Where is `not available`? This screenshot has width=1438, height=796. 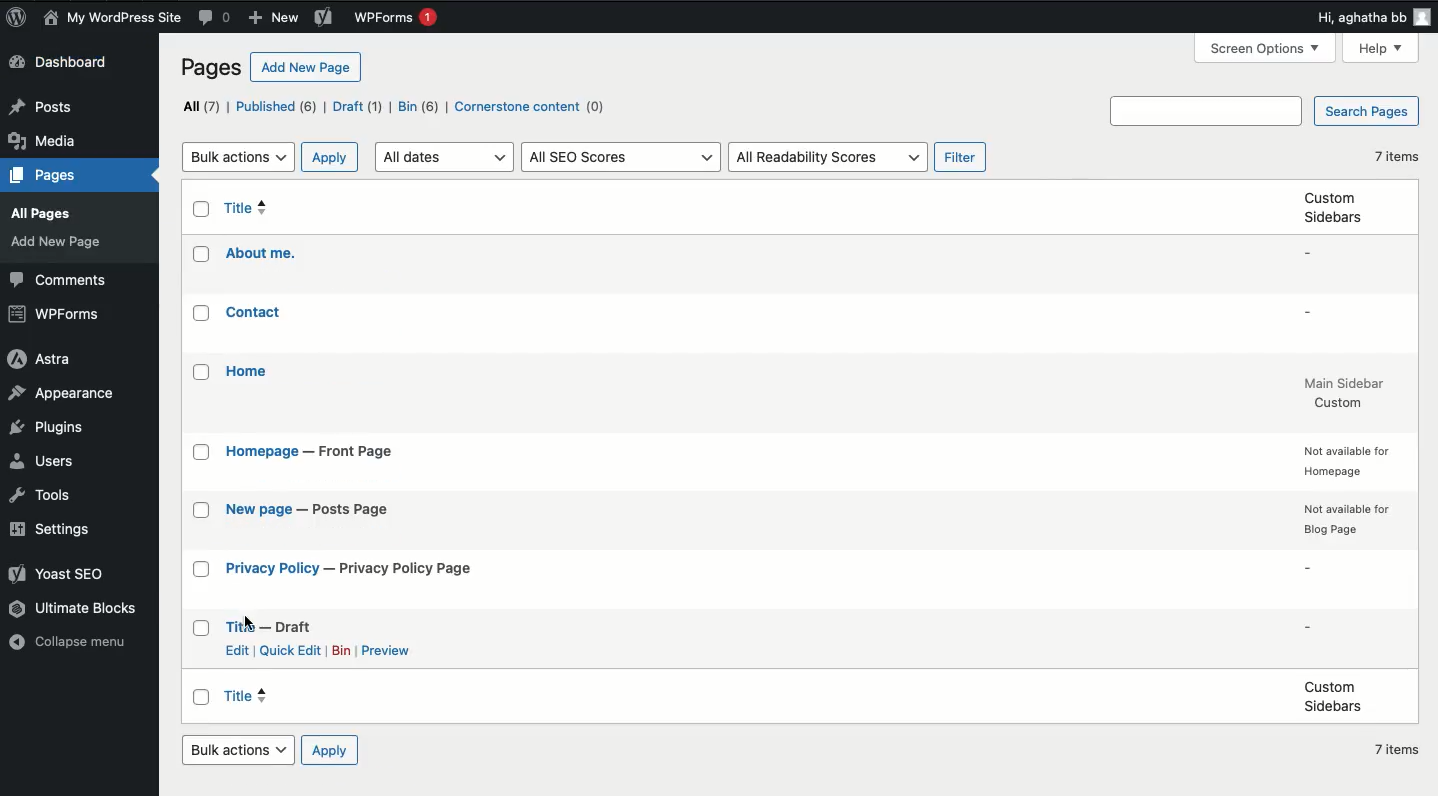 not available is located at coordinates (1346, 521).